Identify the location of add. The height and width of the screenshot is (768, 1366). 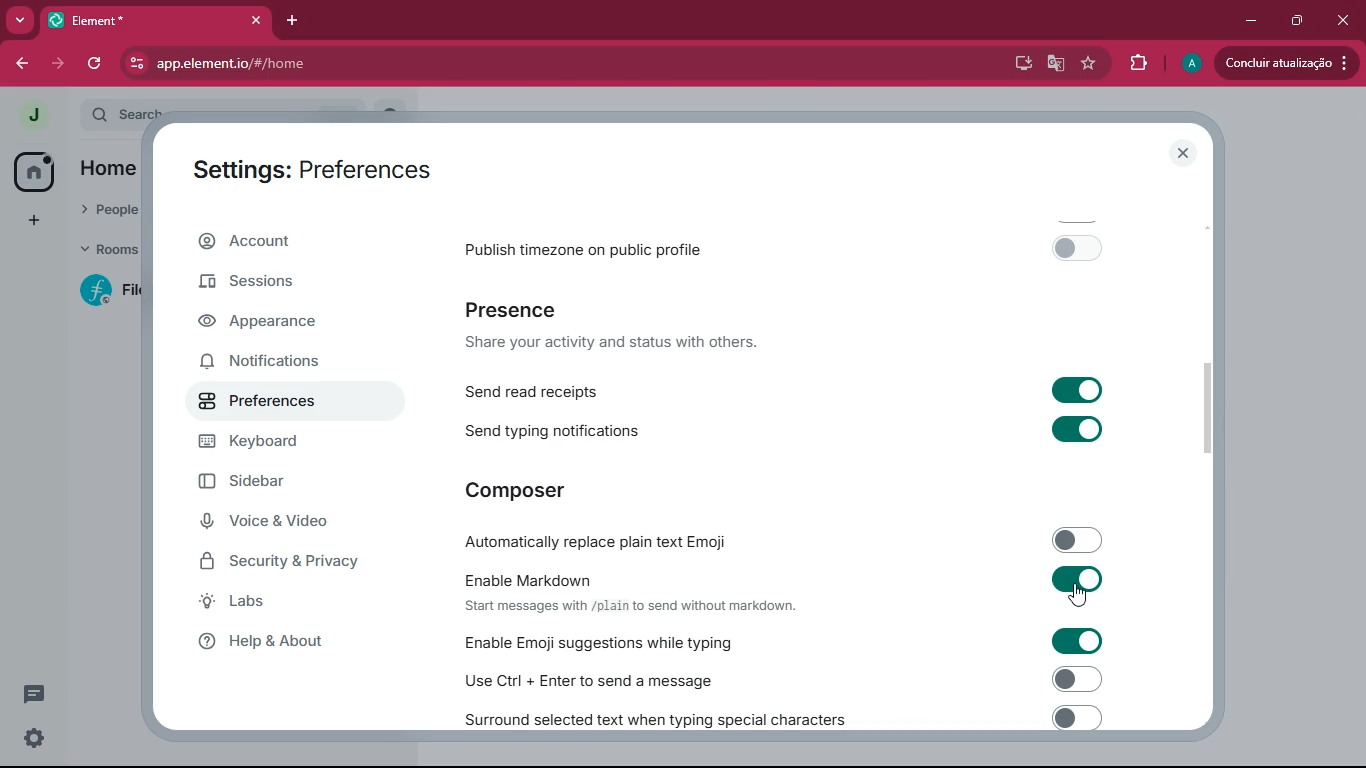
(30, 223).